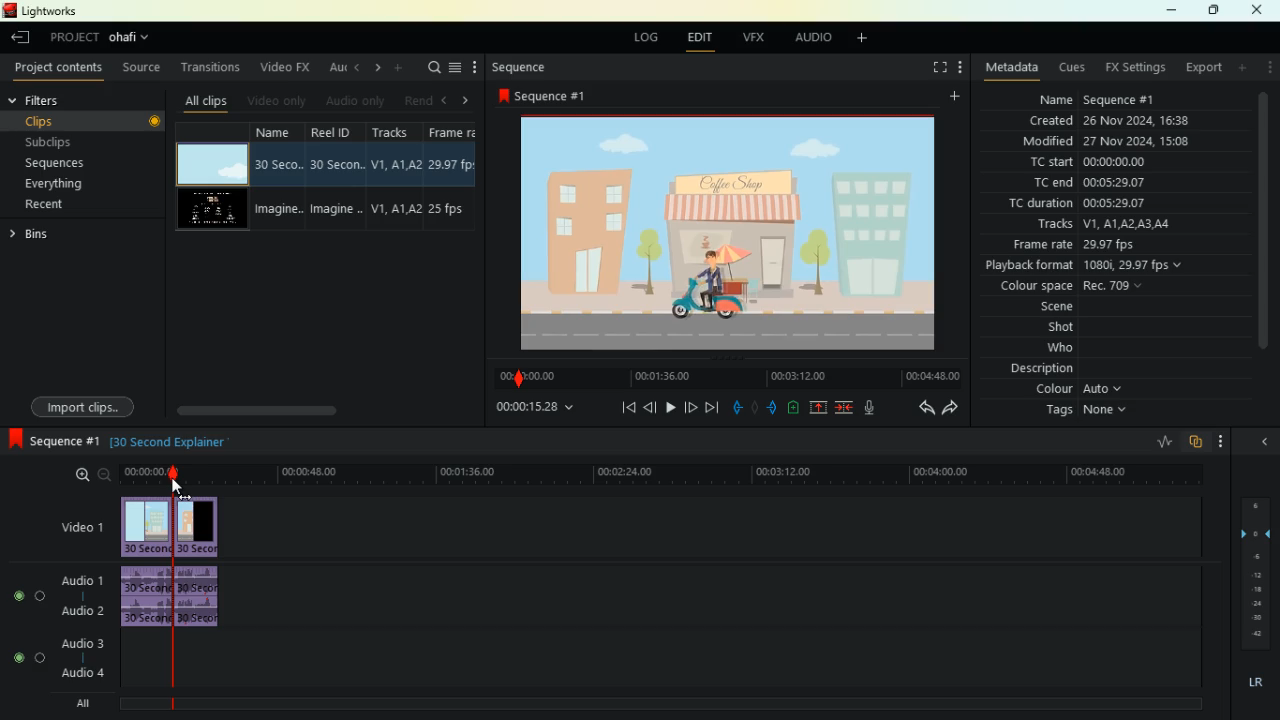 The height and width of the screenshot is (720, 1280). What do you see at coordinates (543, 95) in the screenshot?
I see `sequence` at bounding box center [543, 95].